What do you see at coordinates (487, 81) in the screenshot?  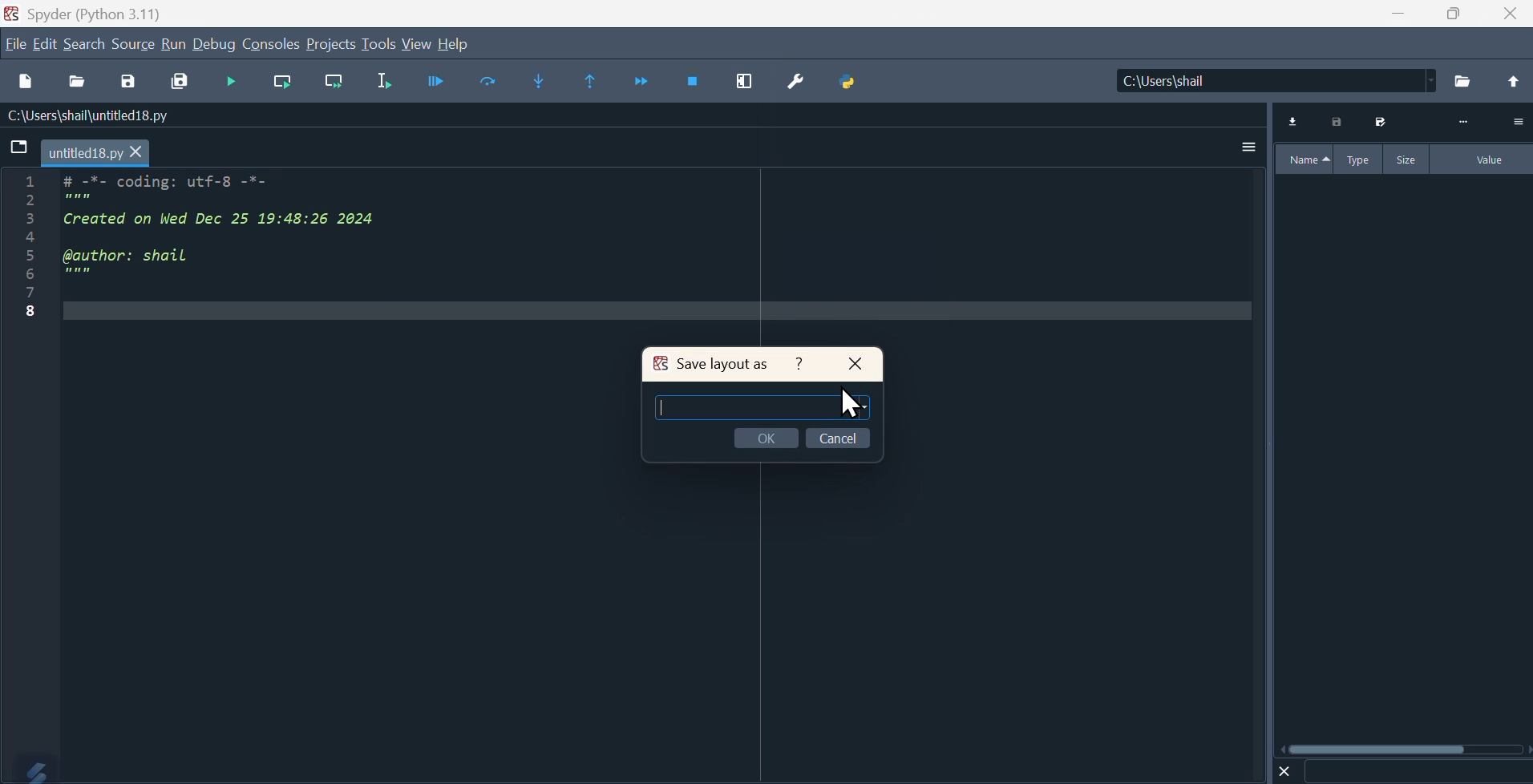 I see `Replace text` at bounding box center [487, 81].